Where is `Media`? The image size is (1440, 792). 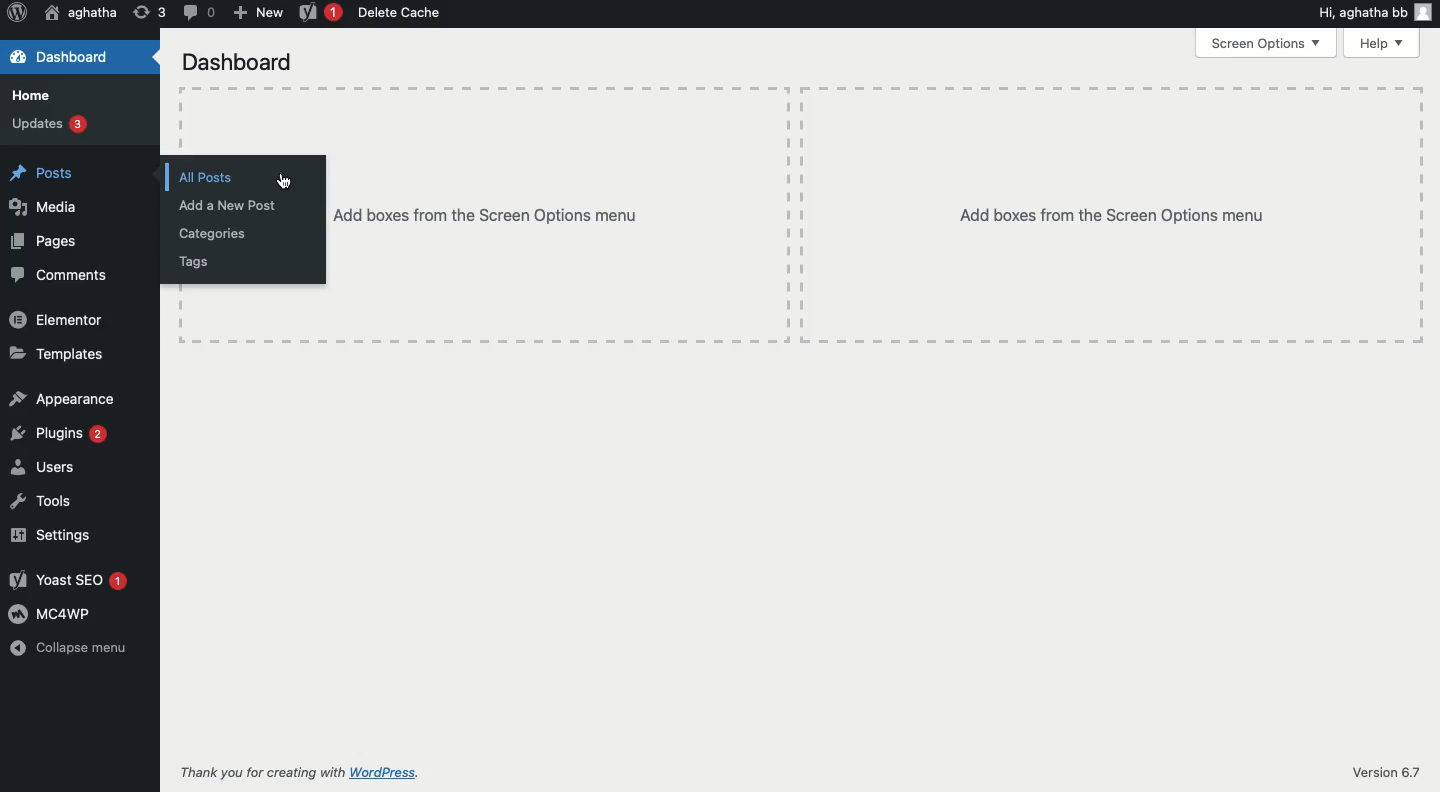 Media is located at coordinates (41, 207).